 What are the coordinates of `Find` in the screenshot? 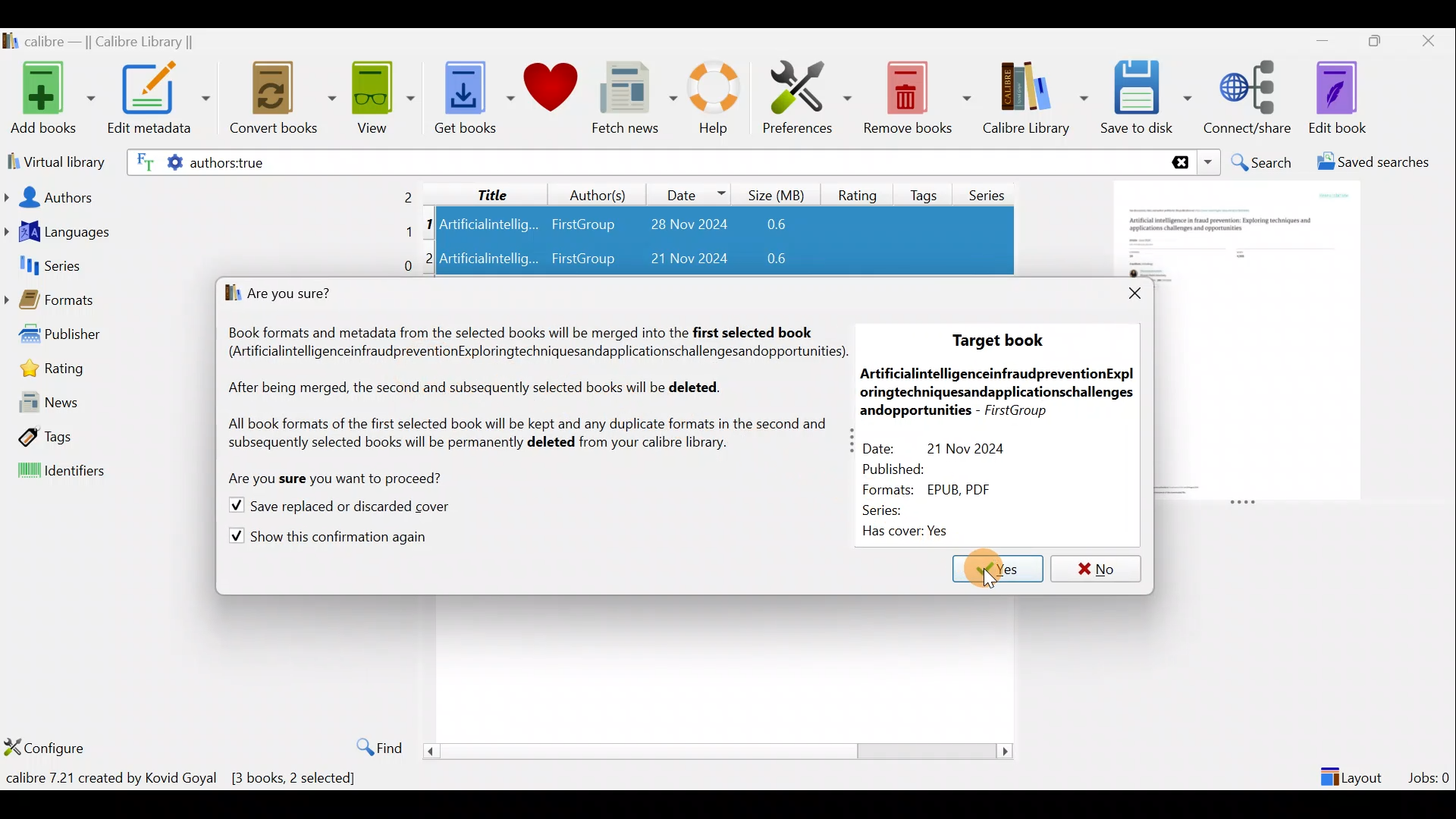 It's located at (372, 746).